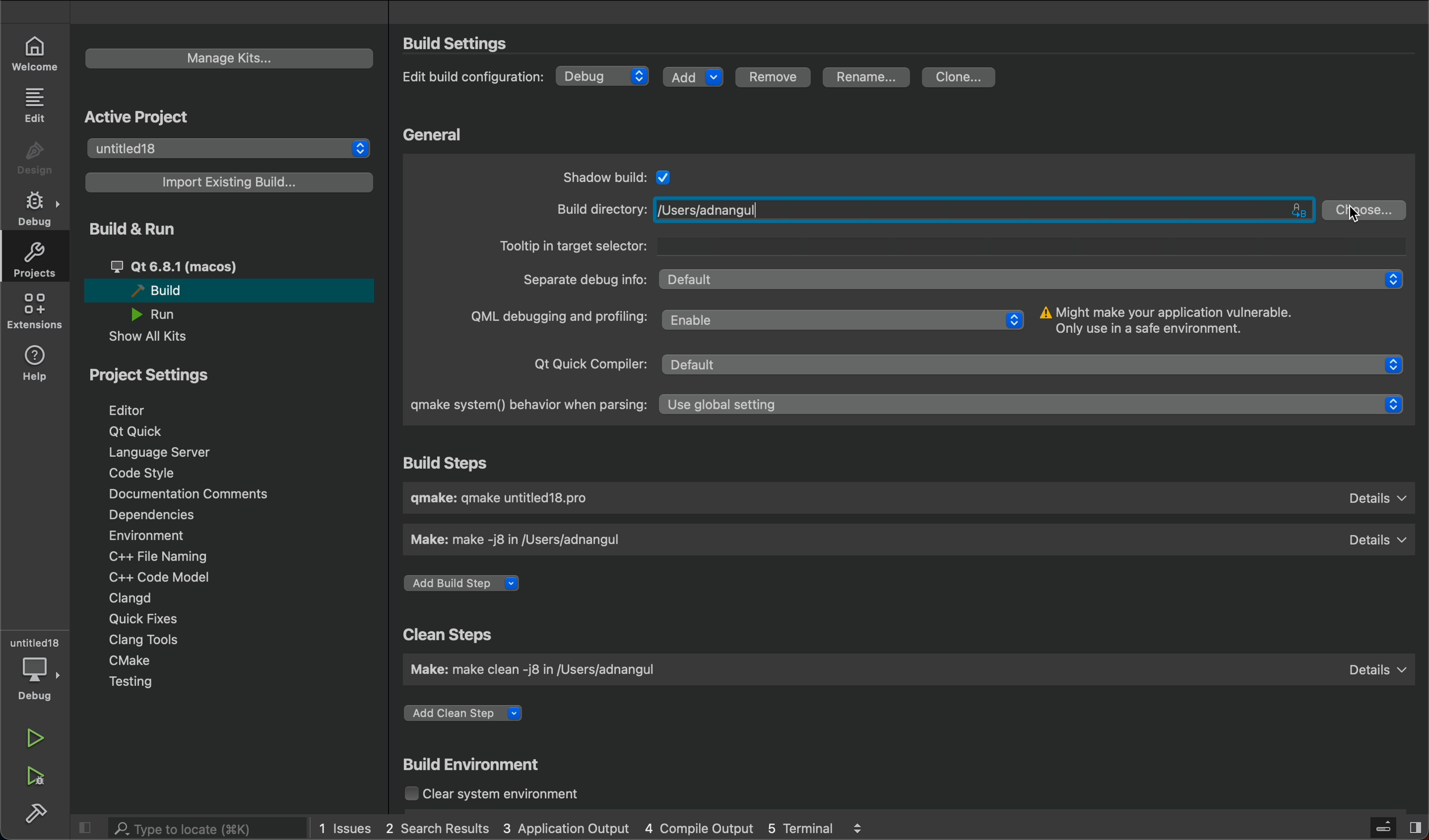 This screenshot has width=1429, height=840. What do you see at coordinates (1036, 406) in the screenshot?
I see `Use global setting` at bounding box center [1036, 406].